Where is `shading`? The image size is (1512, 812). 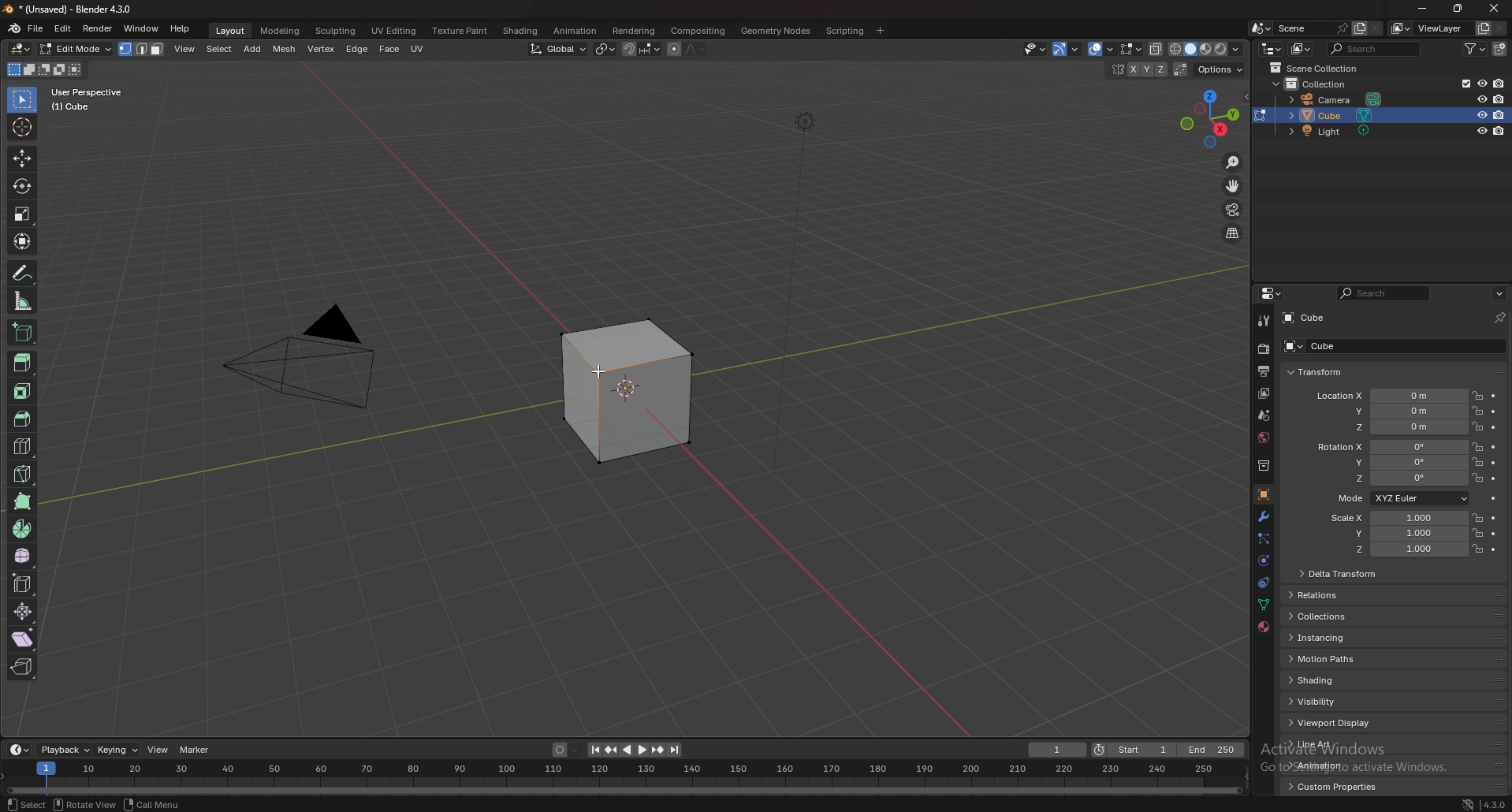 shading is located at coordinates (521, 32).